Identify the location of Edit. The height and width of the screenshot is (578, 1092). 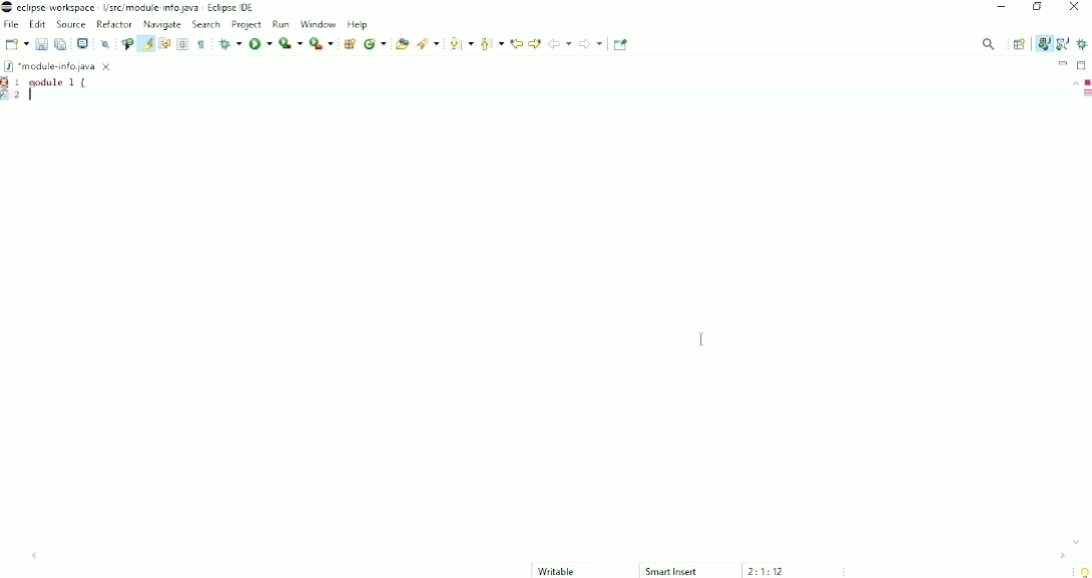
(38, 24).